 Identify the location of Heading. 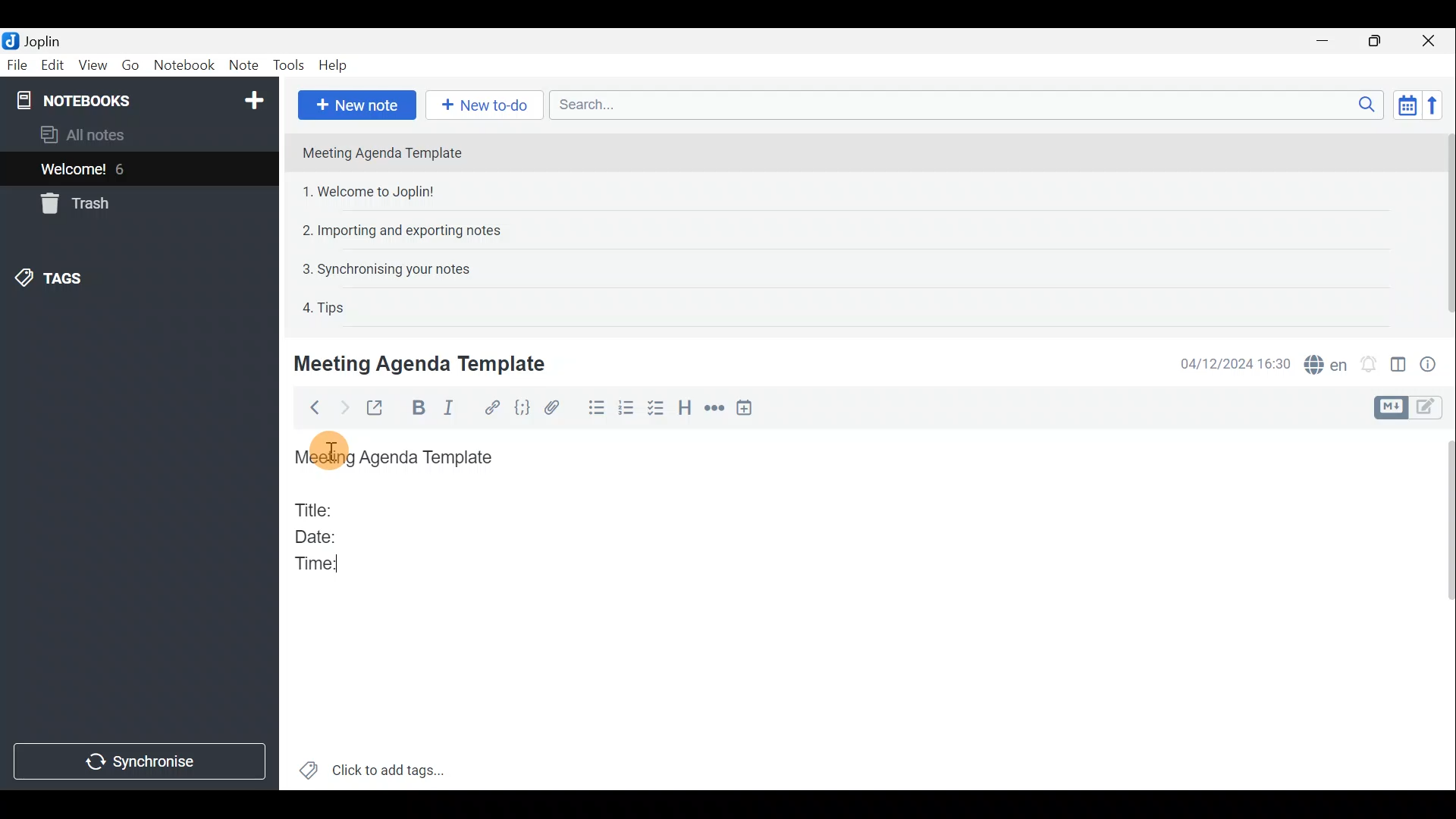
(685, 411).